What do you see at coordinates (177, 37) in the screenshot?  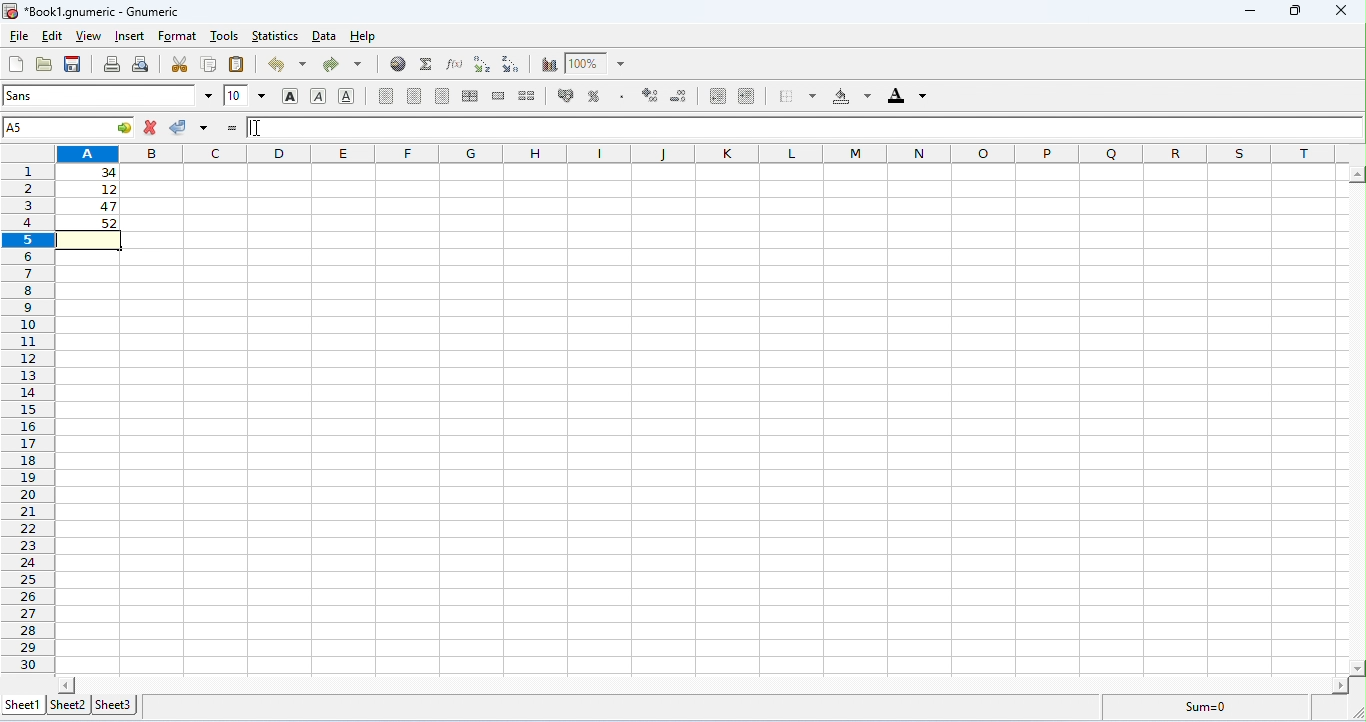 I see `format` at bounding box center [177, 37].